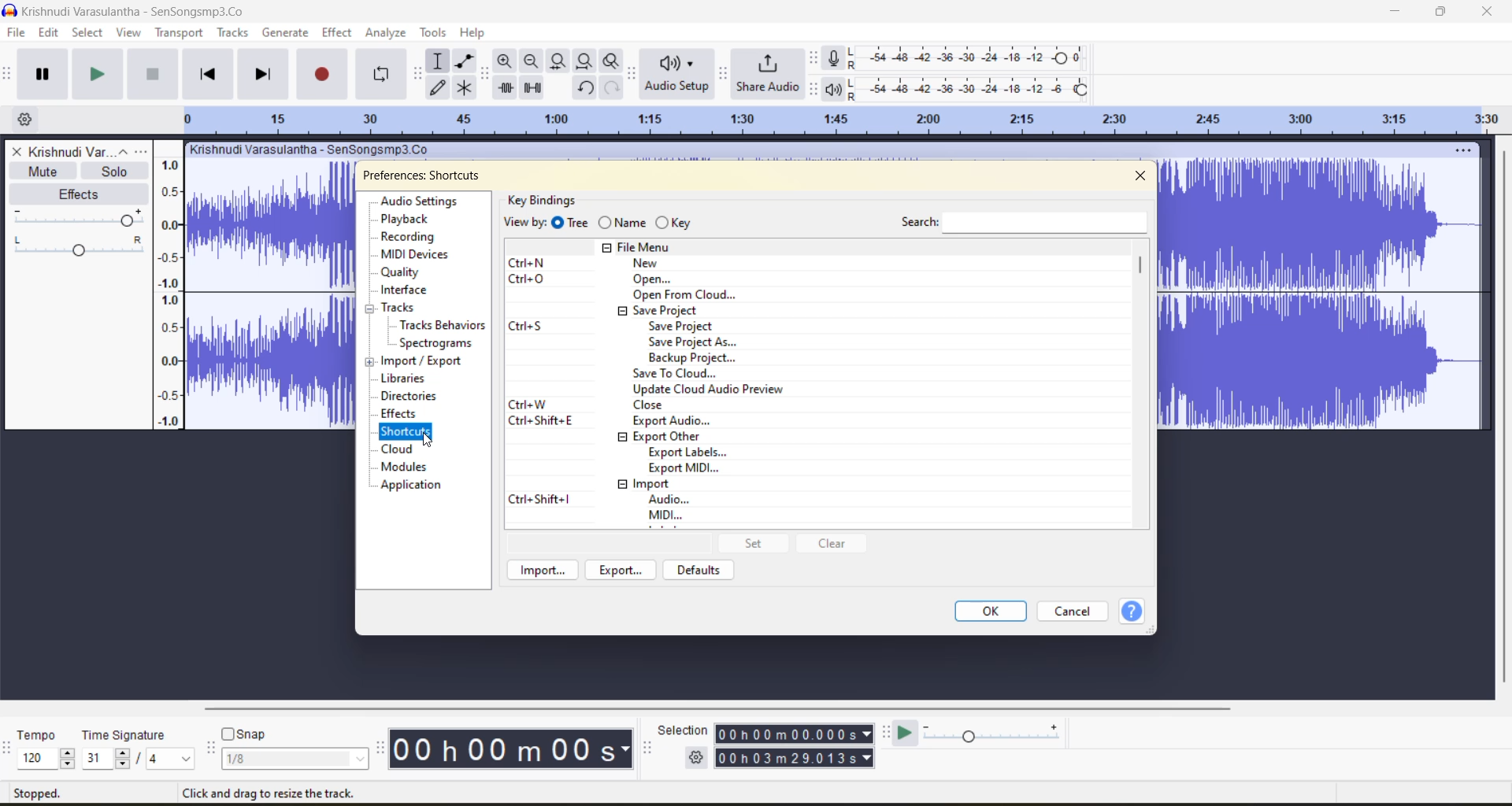  Describe the element at coordinates (294, 747) in the screenshot. I see `snap` at that location.